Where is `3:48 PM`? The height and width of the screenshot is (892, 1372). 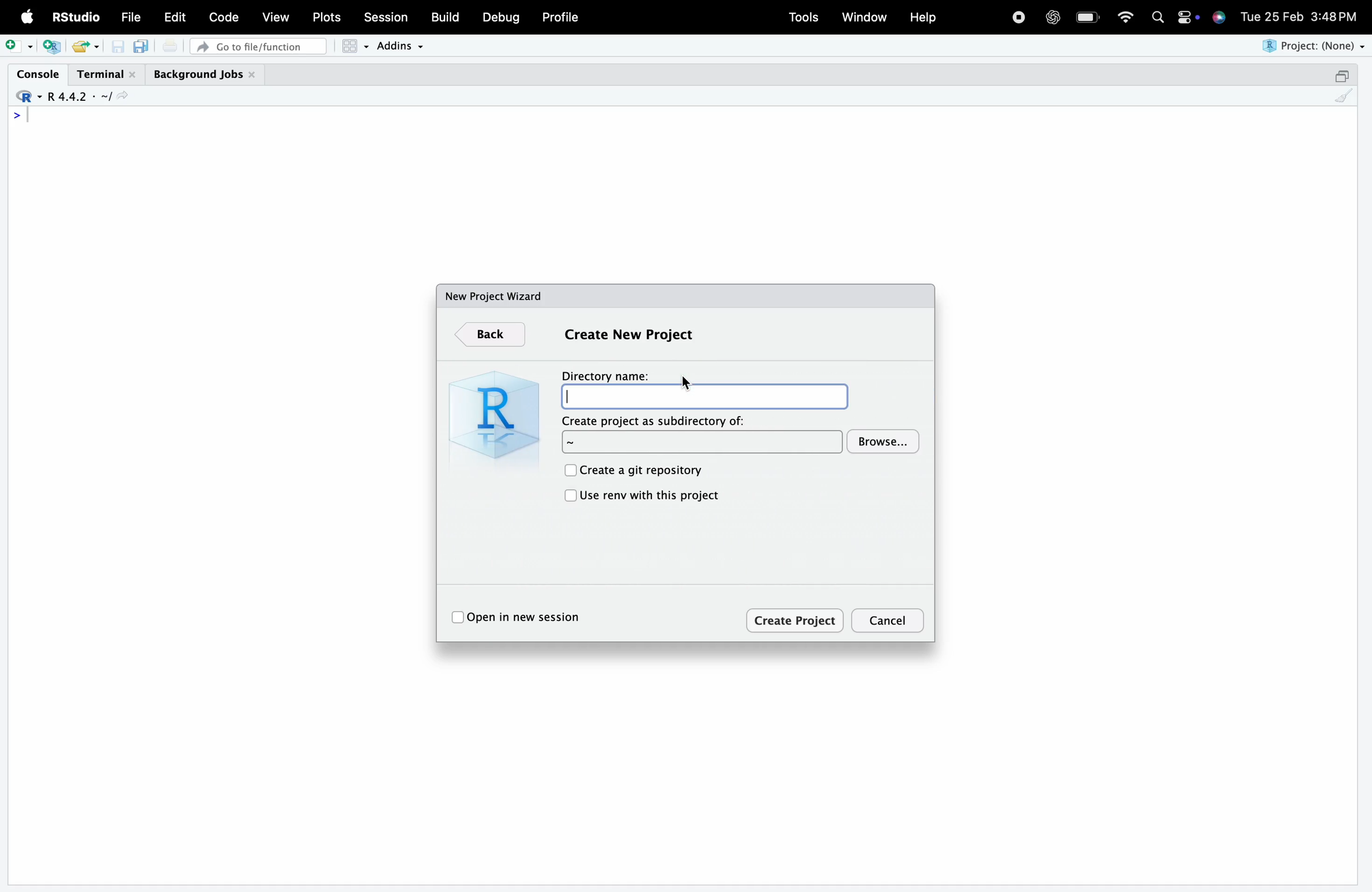 3:48 PM is located at coordinates (1335, 15).